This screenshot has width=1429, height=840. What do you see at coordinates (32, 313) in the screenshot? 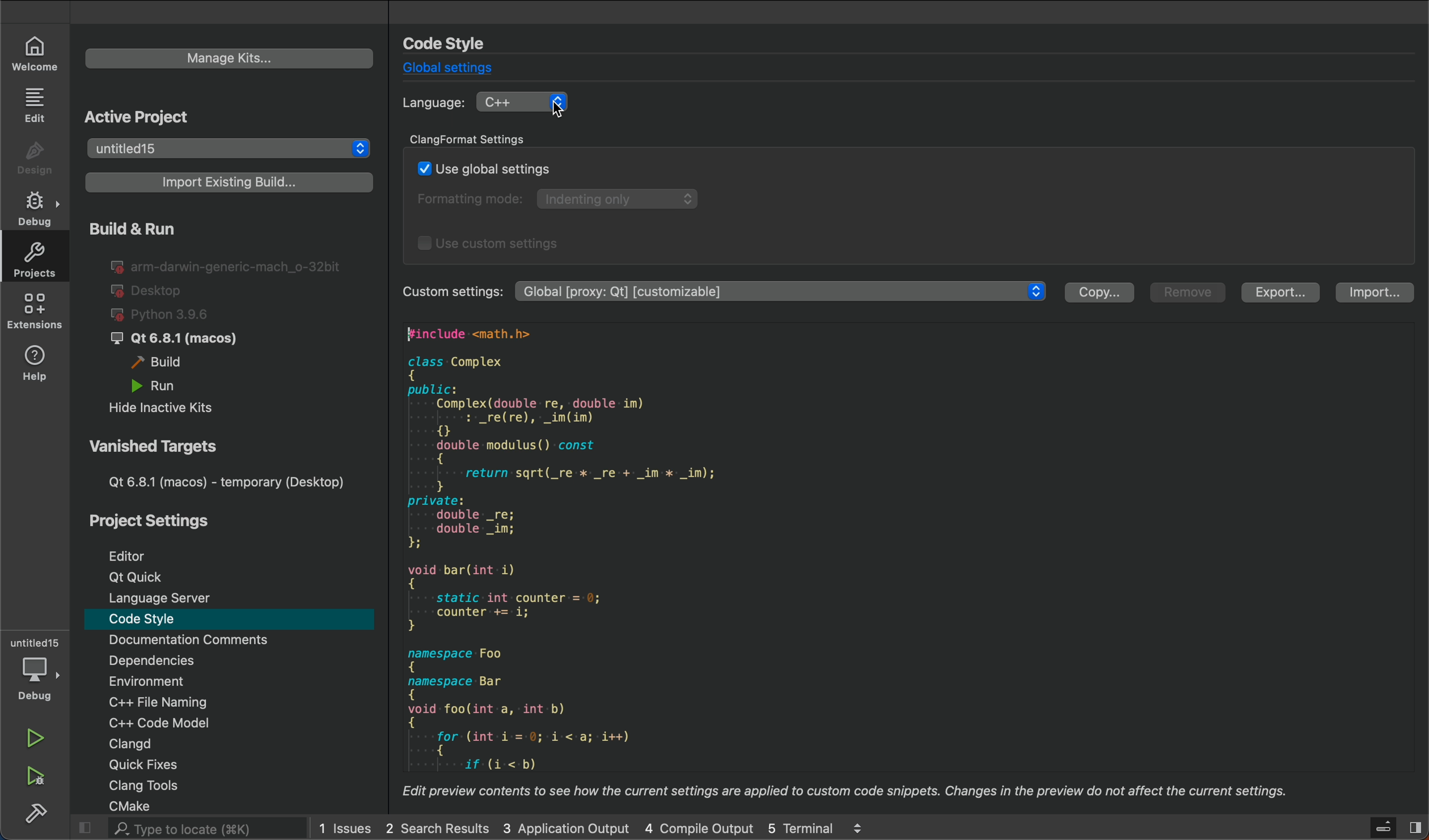
I see `extensions` at bounding box center [32, 313].